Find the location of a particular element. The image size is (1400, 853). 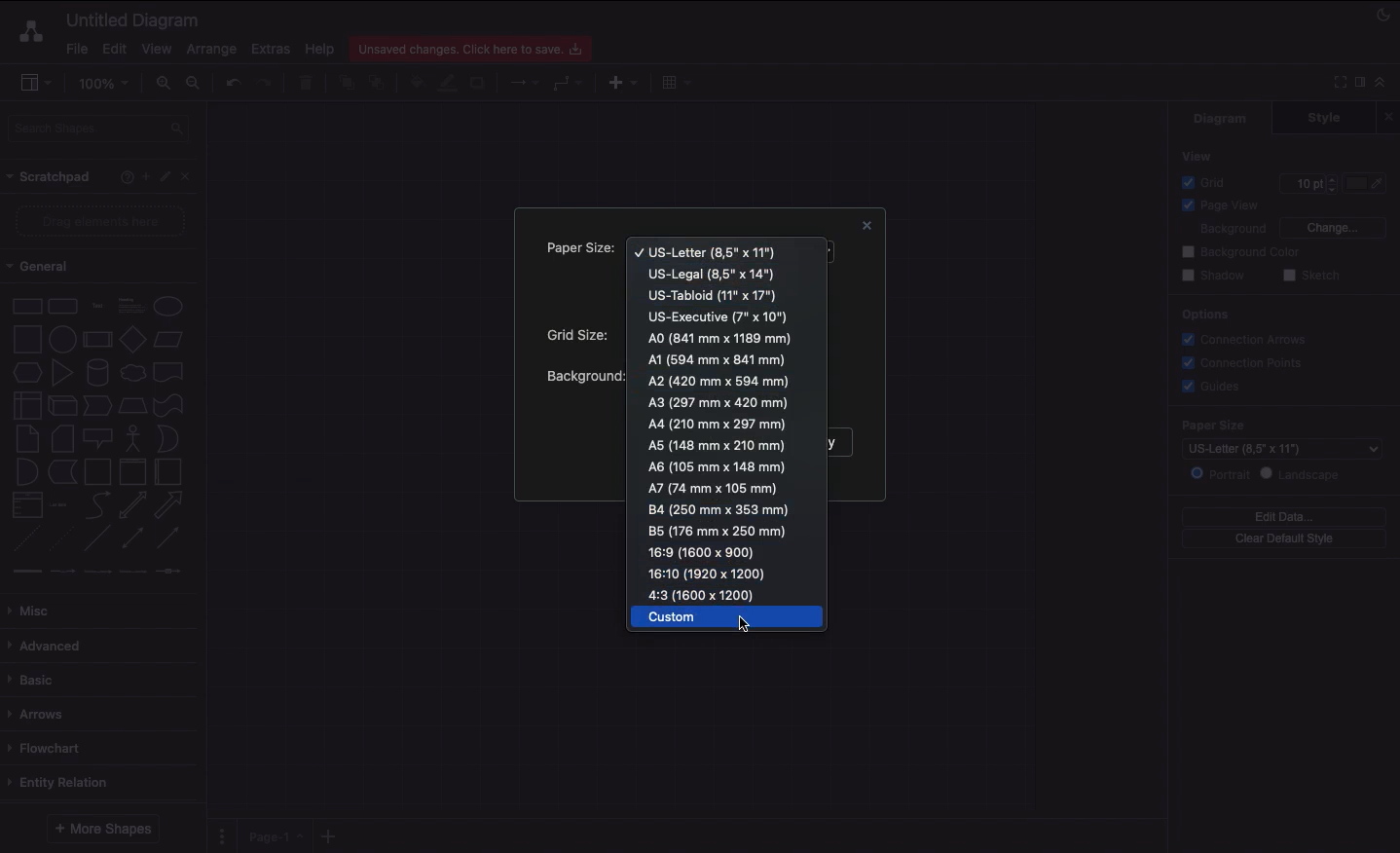

Add is located at coordinates (145, 175).